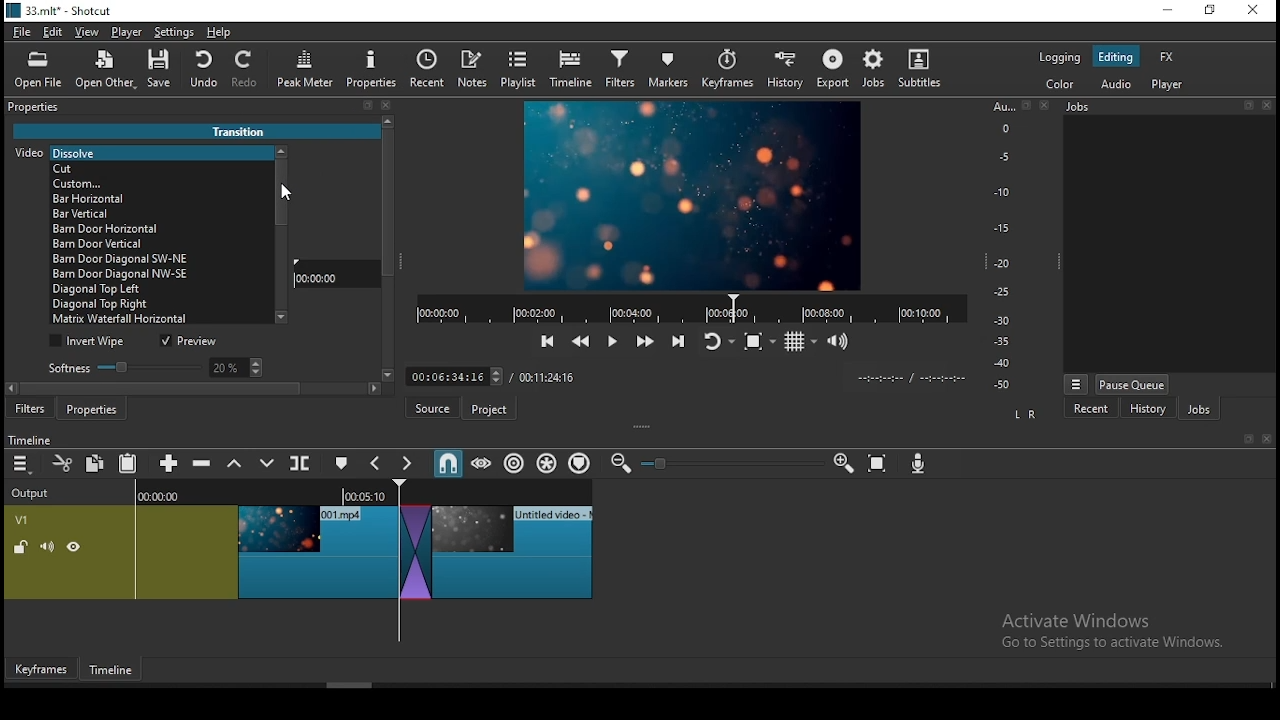  Describe the element at coordinates (98, 463) in the screenshot. I see `copy` at that location.